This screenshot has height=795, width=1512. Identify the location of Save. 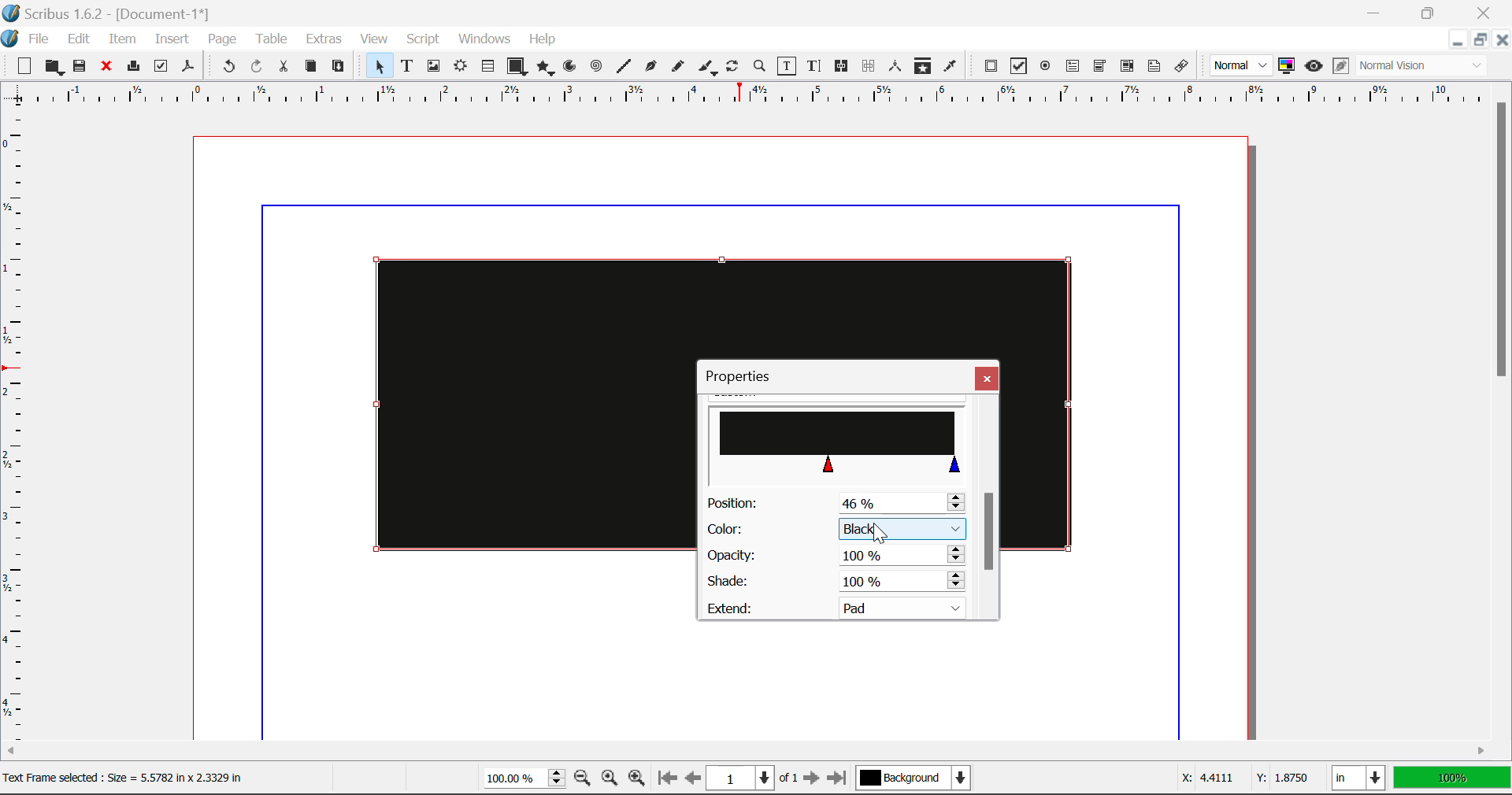
(81, 67).